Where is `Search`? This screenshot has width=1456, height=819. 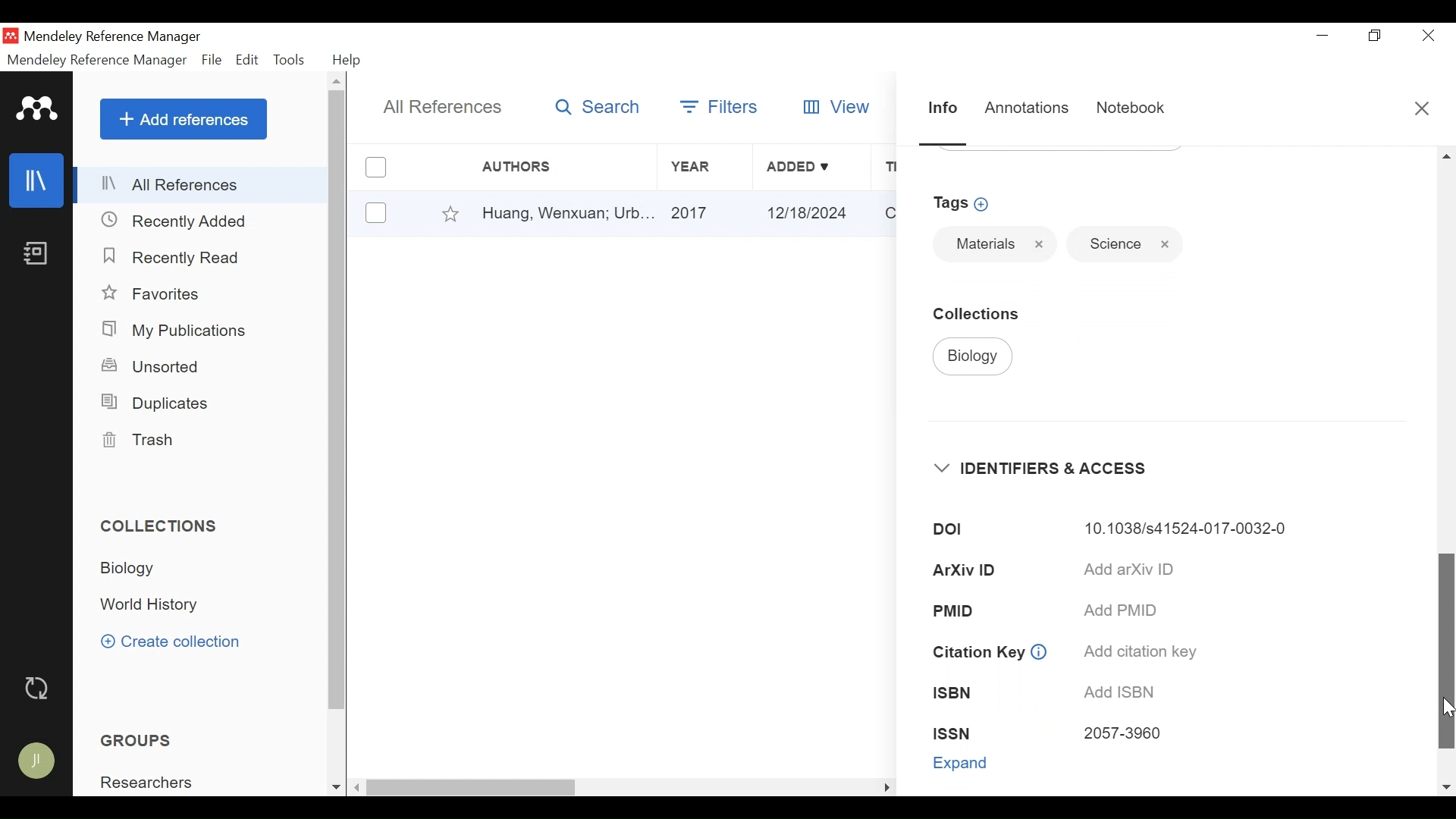
Search is located at coordinates (598, 108).